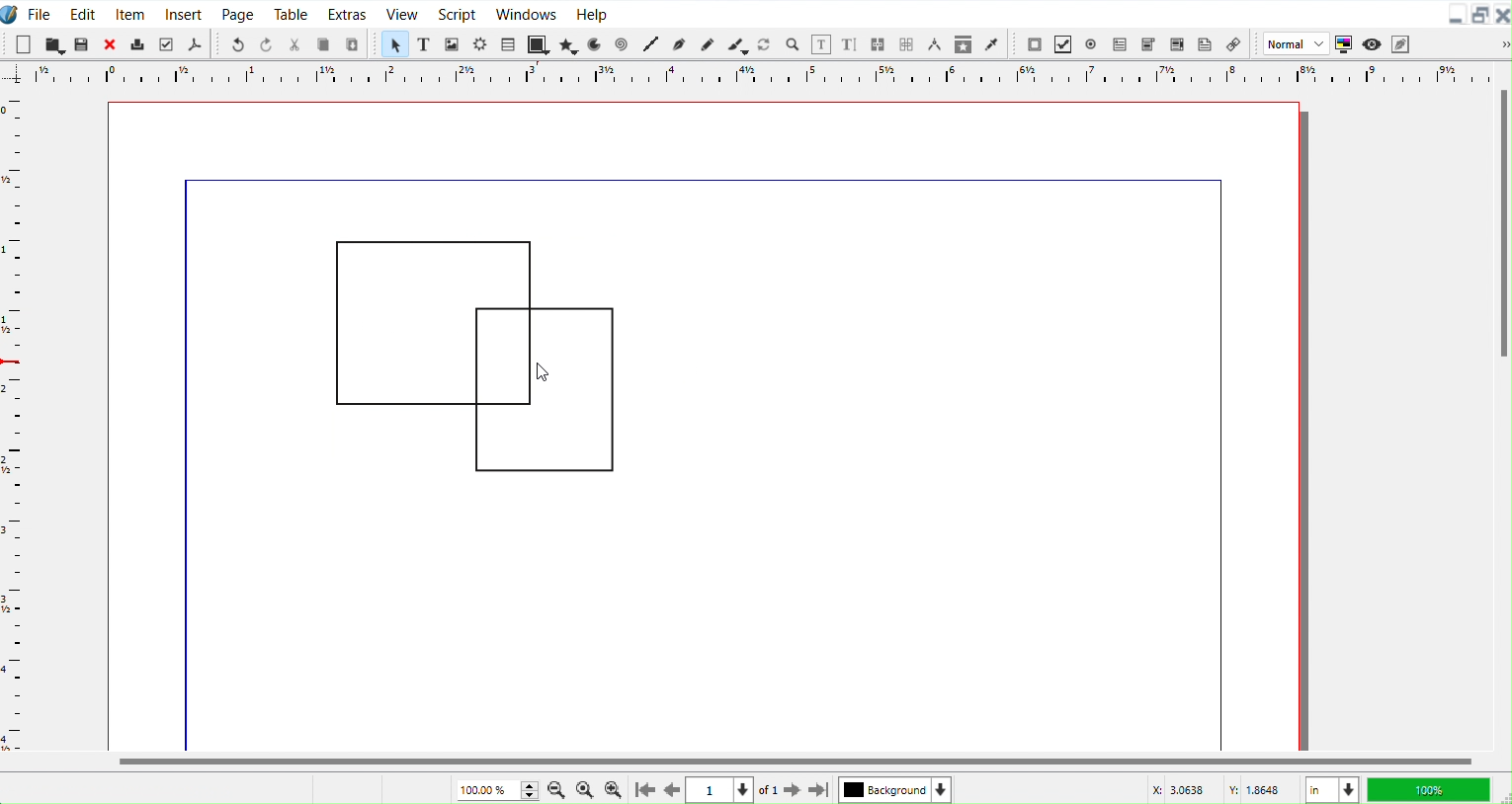 The image size is (1512, 804). Describe the element at coordinates (706, 43) in the screenshot. I see `Freehand line` at that location.